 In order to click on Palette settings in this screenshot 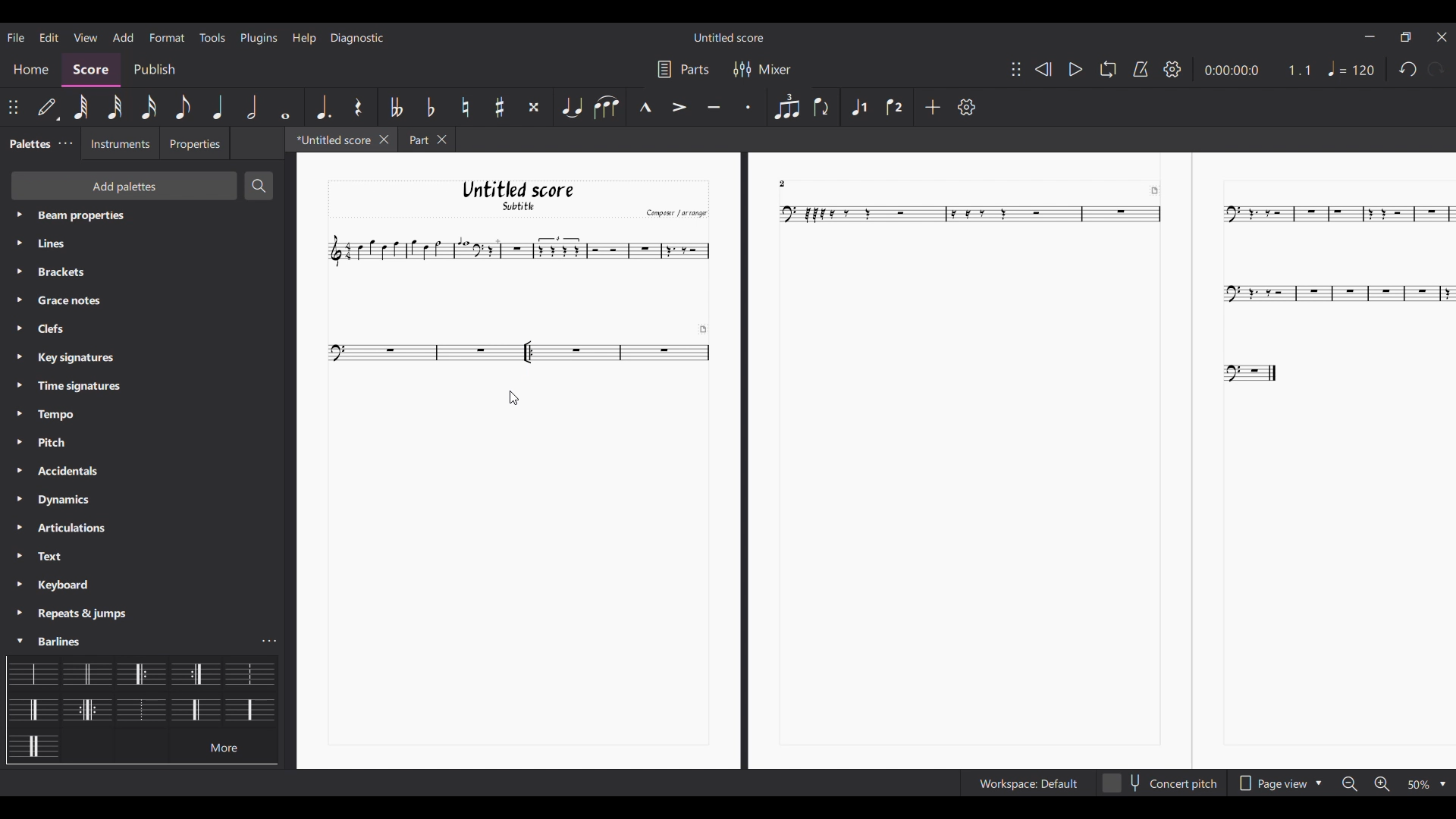, I will do `click(68, 330)`.